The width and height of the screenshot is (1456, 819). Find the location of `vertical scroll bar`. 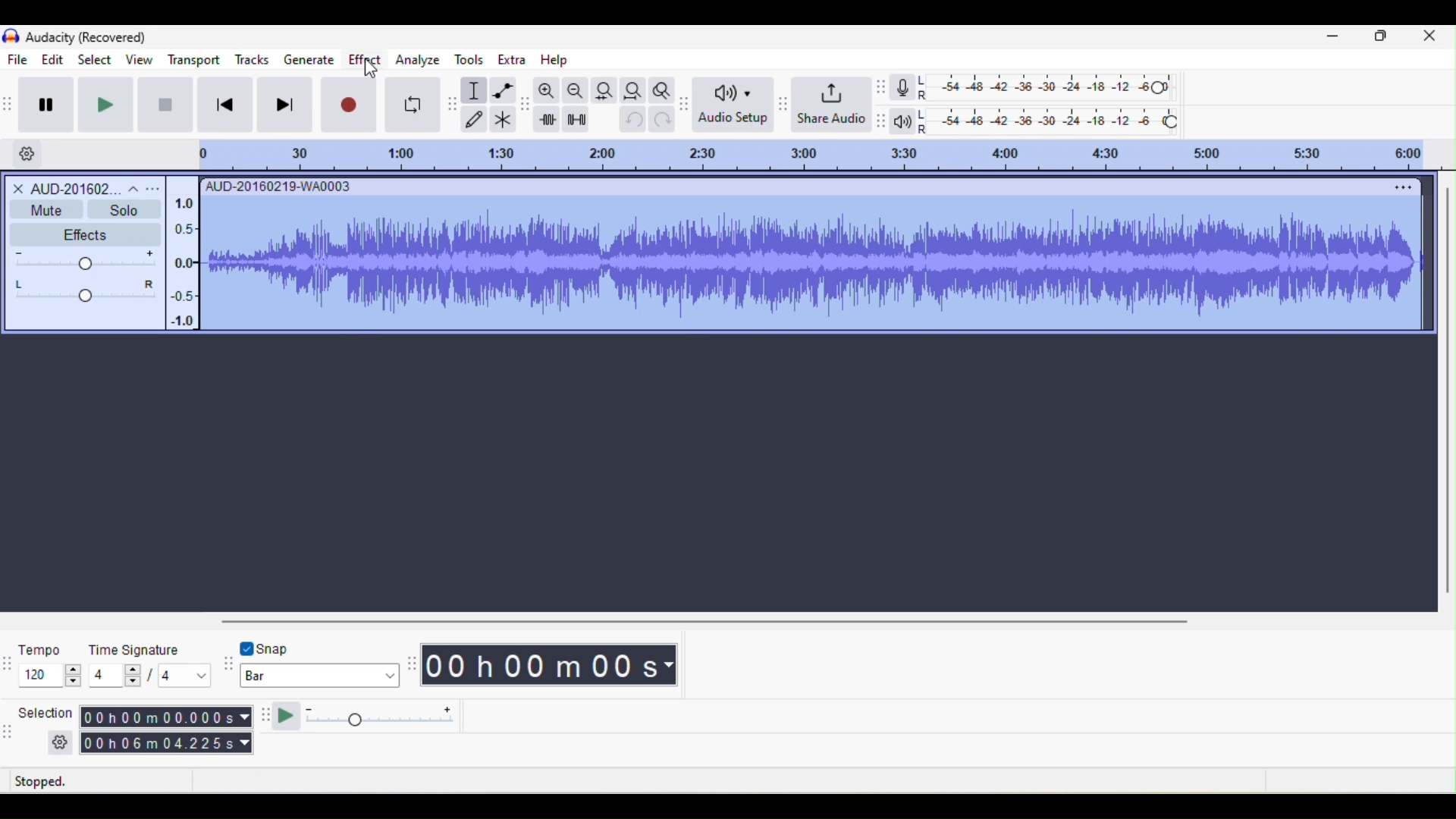

vertical scroll bar is located at coordinates (1447, 393).